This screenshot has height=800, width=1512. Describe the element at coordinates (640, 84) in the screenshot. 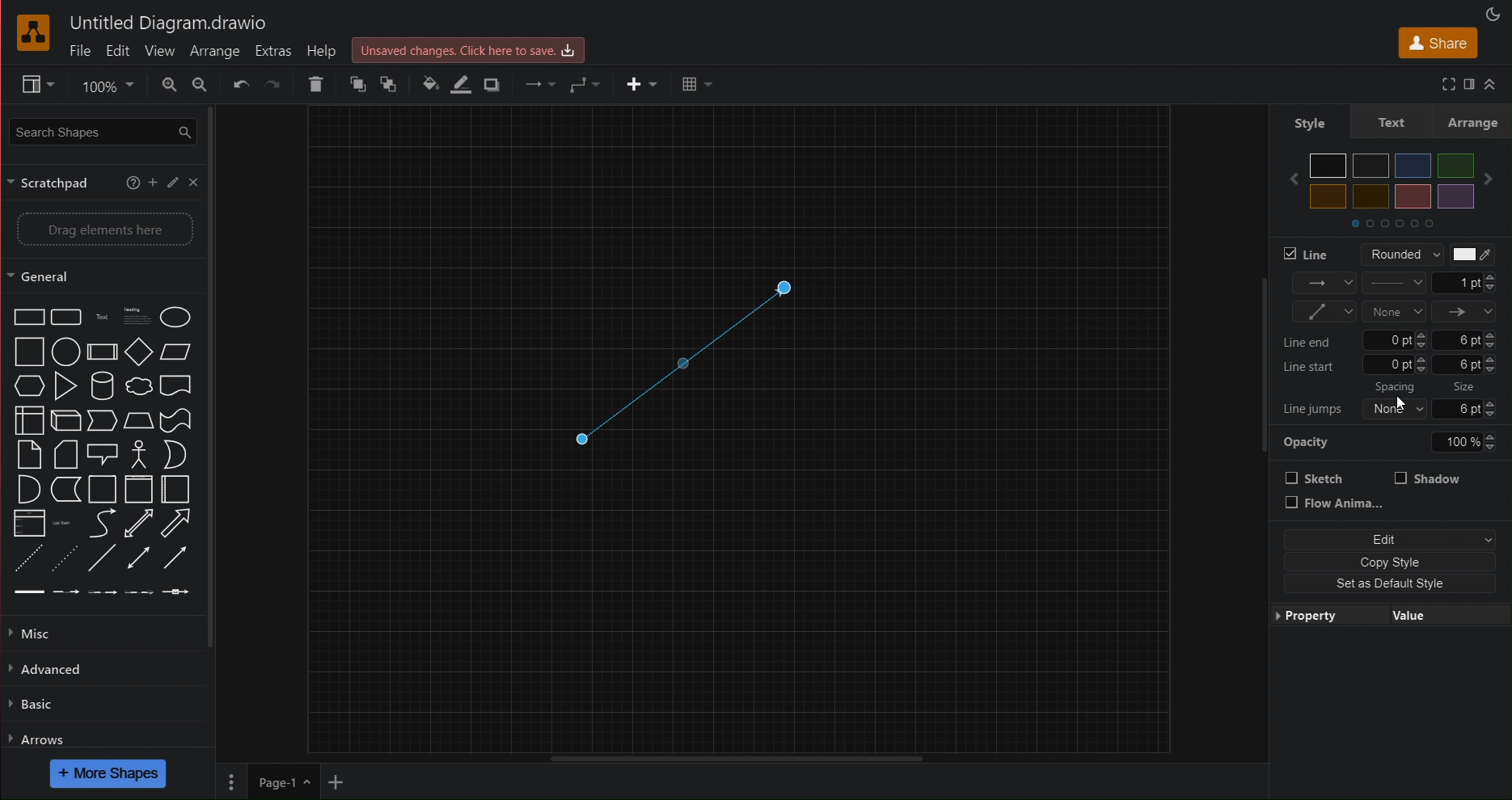

I see `Insert` at that location.